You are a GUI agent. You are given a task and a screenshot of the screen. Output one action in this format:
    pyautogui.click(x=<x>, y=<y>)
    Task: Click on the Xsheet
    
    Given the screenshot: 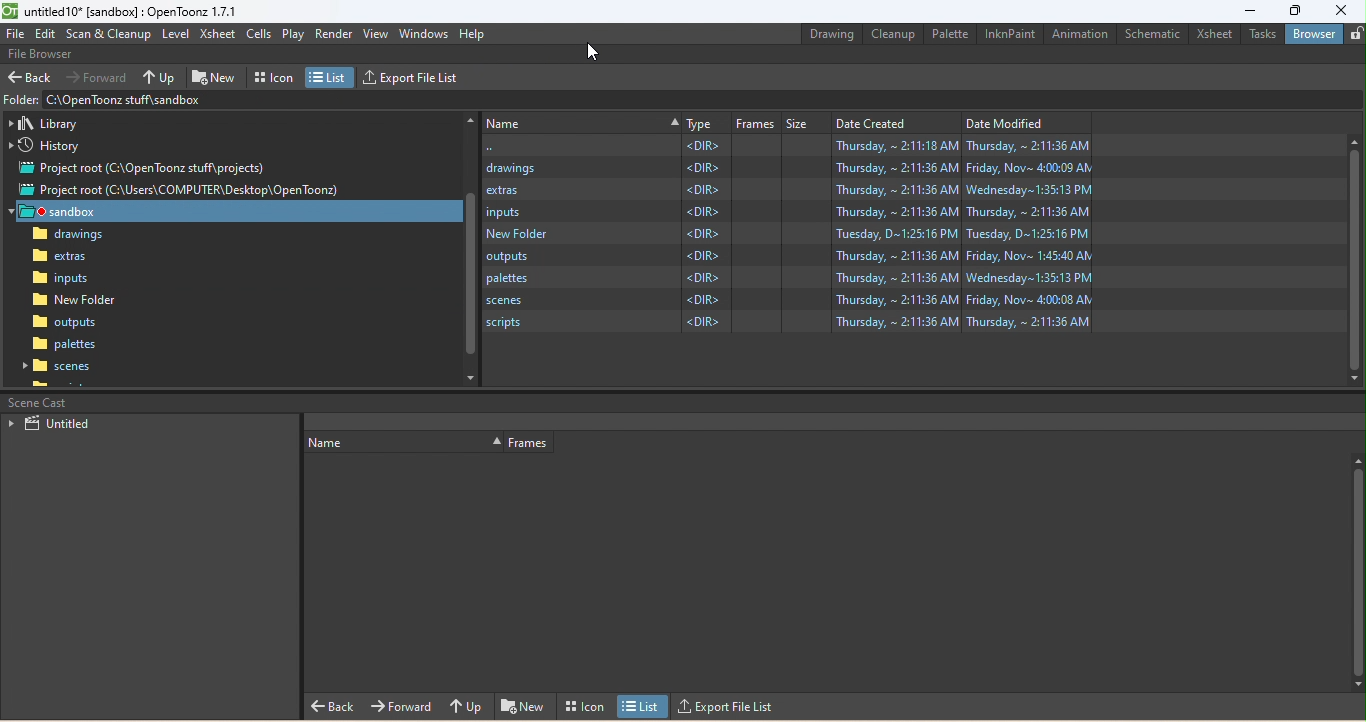 What is the action you would take?
    pyautogui.click(x=219, y=36)
    